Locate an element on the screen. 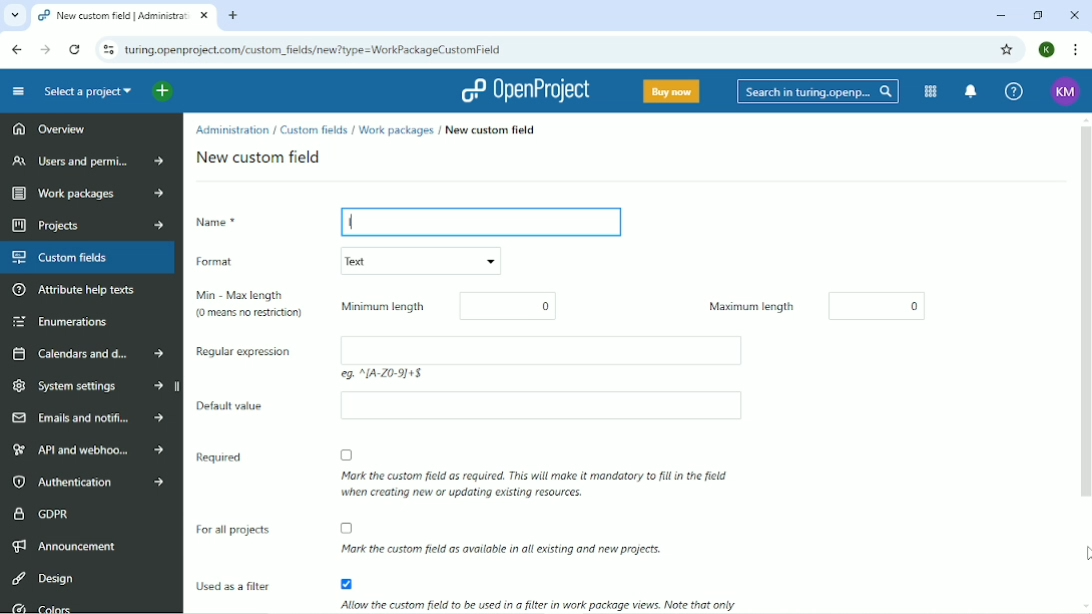 The height and width of the screenshot is (614, 1092). Minimize is located at coordinates (1001, 16).